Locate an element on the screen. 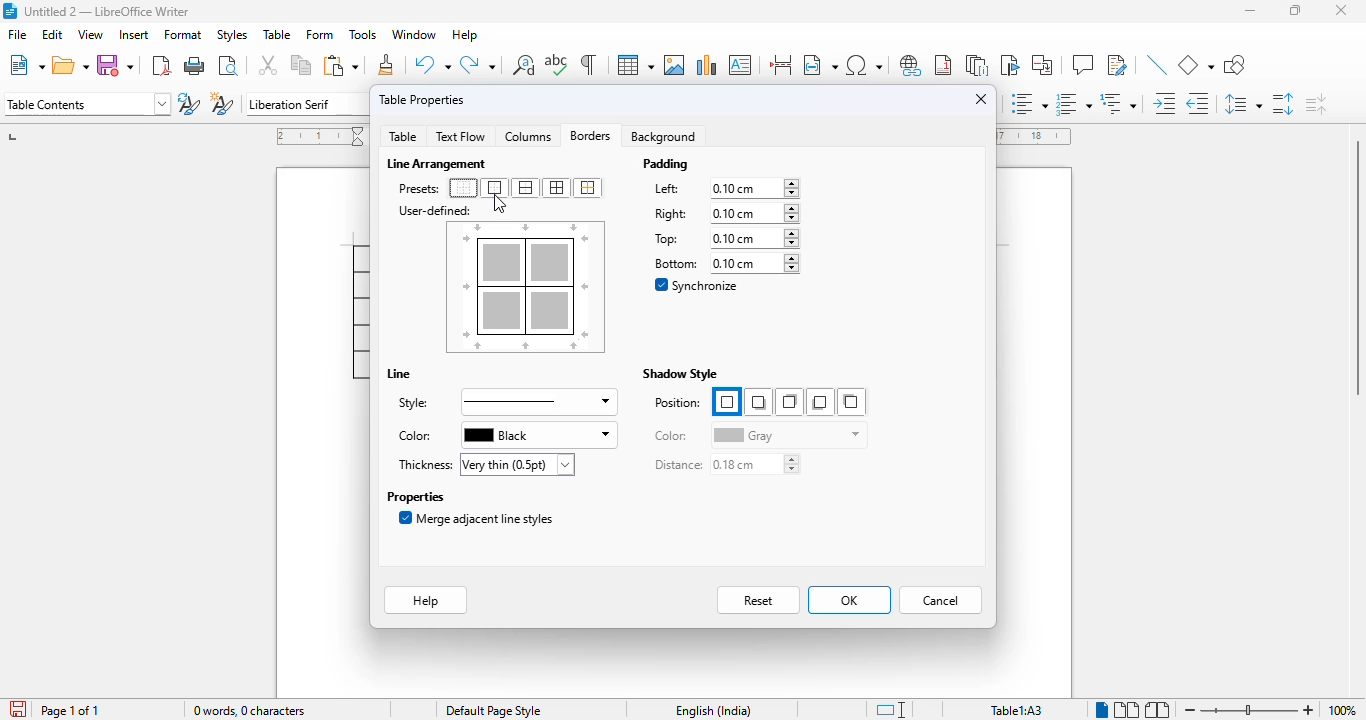 The height and width of the screenshot is (720, 1366). borders is located at coordinates (589, 135).